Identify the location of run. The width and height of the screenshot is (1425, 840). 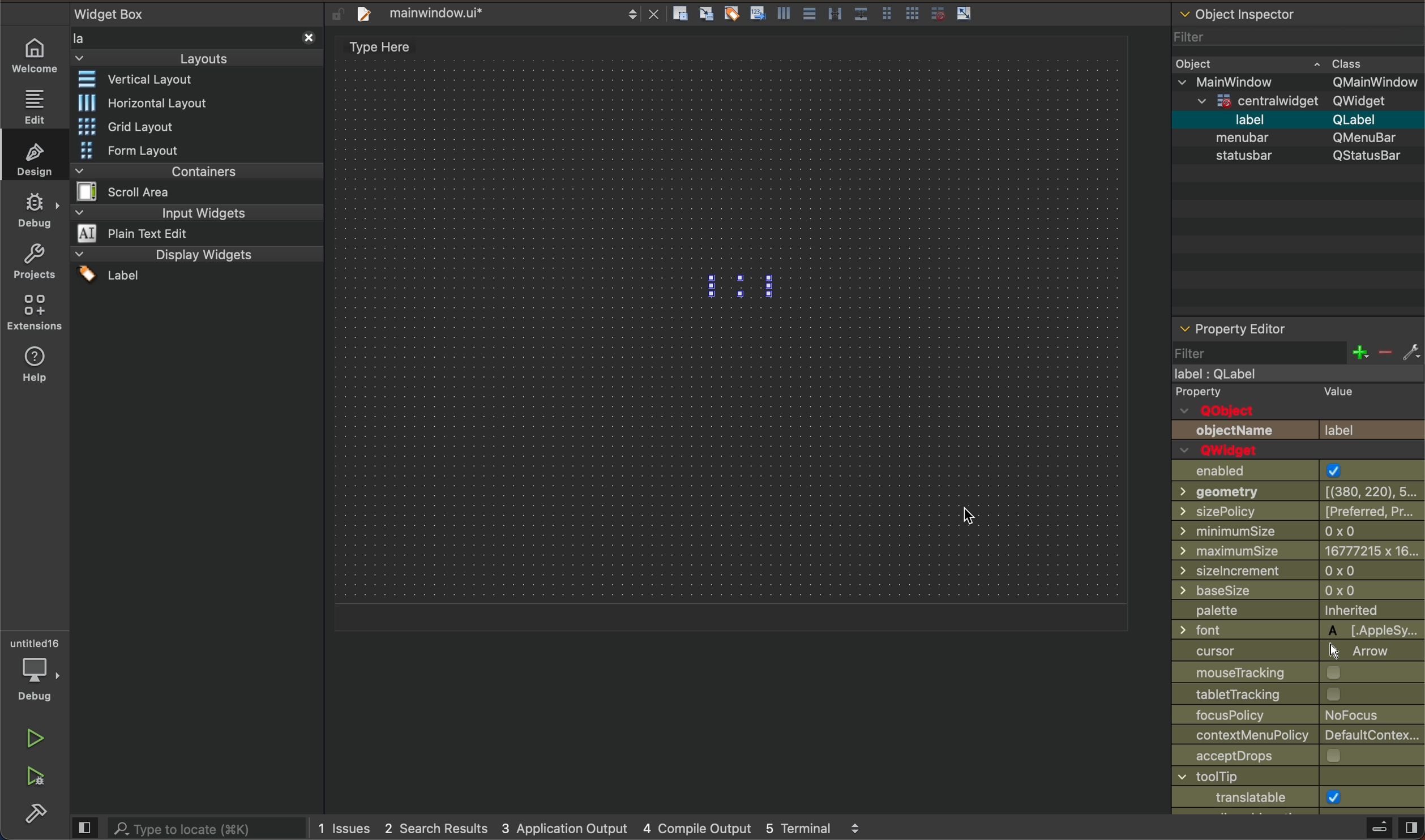
(36, 737).